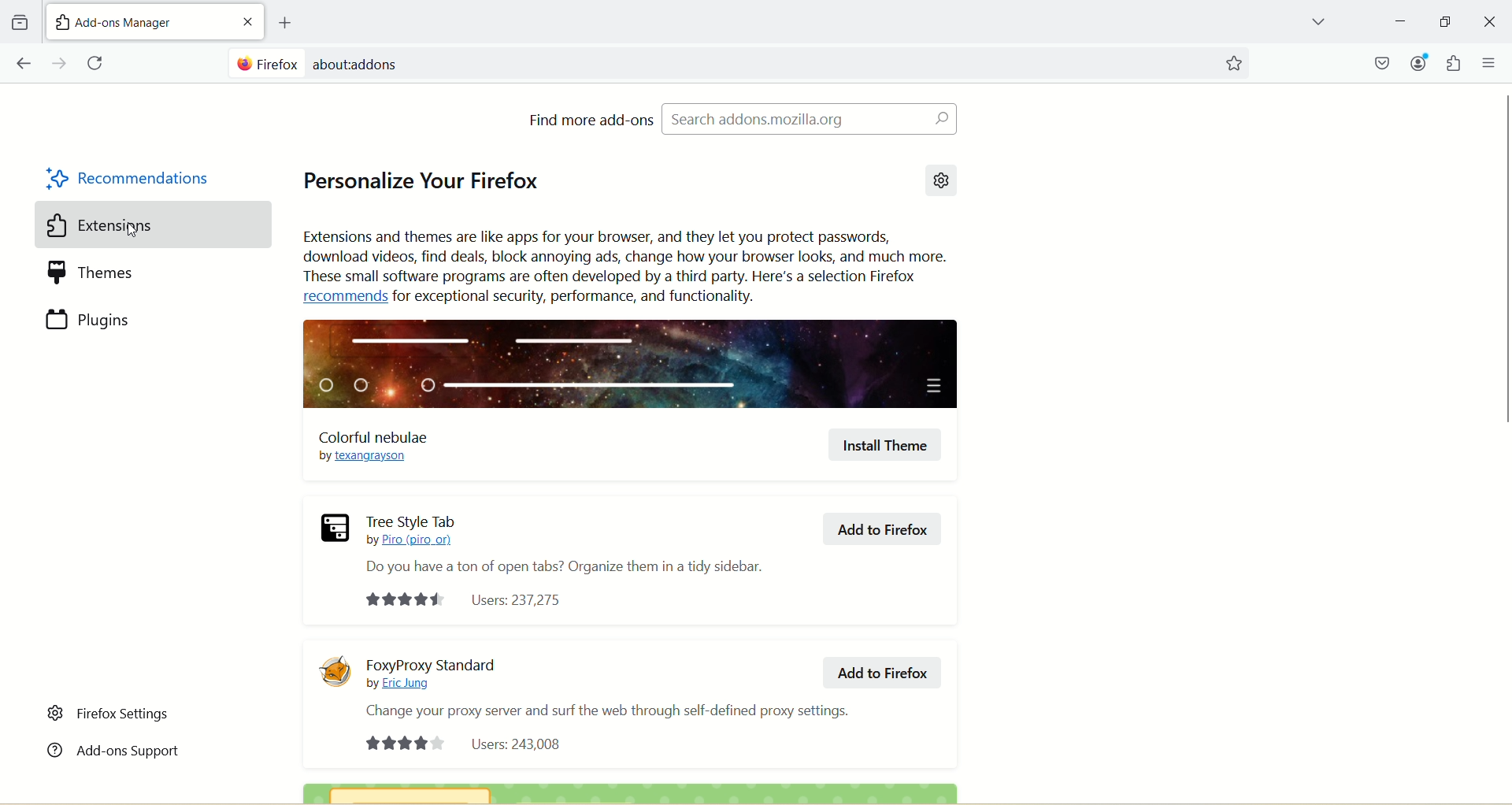 The width and height of the screenshot is (1512, 805). What do you see at coordinates (110, 714) in the screenshot?
I see `Firefox settings` at bounding box center [110, 714].